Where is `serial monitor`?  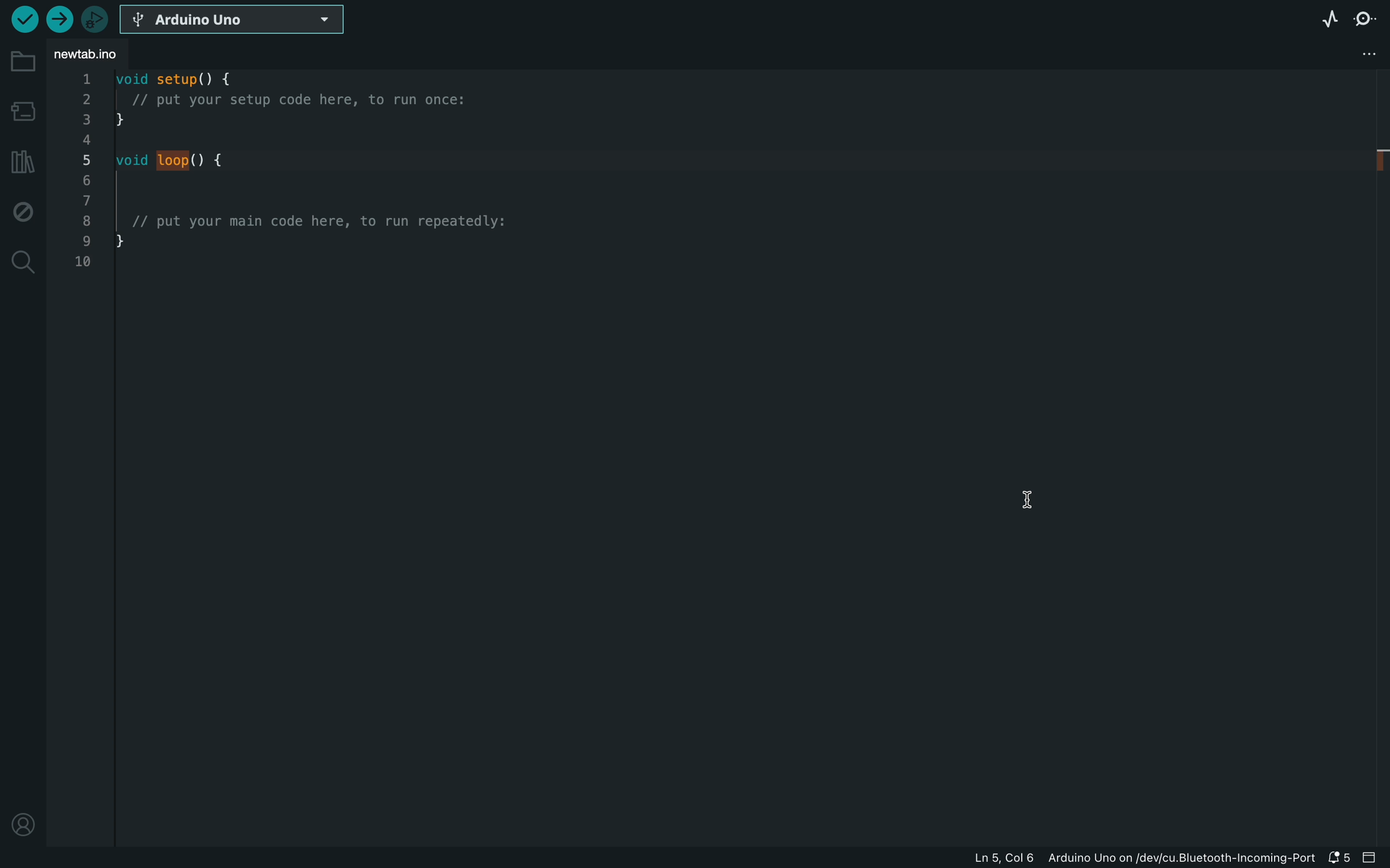 serial monitor is located at coordinates (1365, 18).